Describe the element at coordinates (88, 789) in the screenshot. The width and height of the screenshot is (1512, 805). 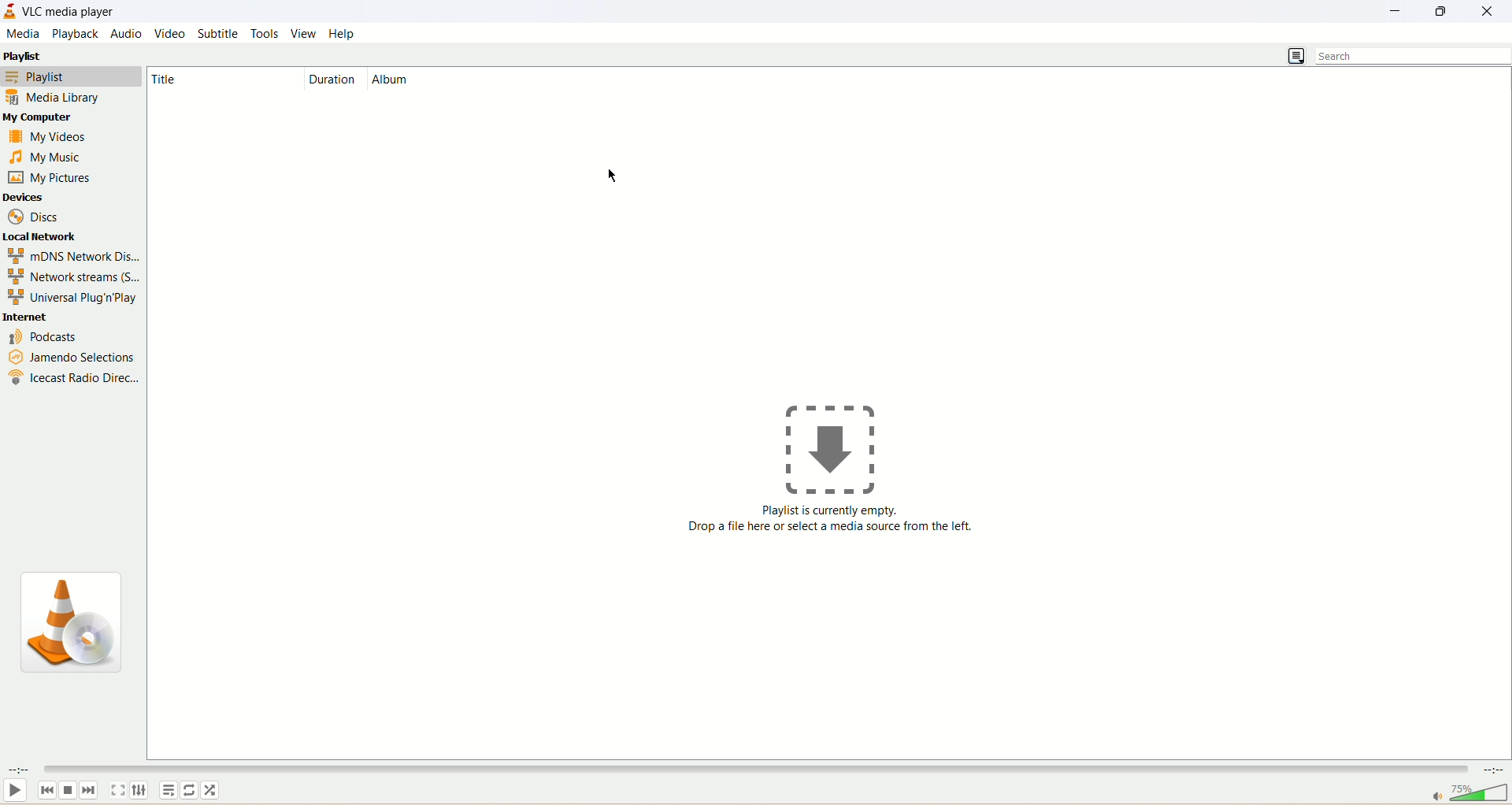
I see `next` at that location.